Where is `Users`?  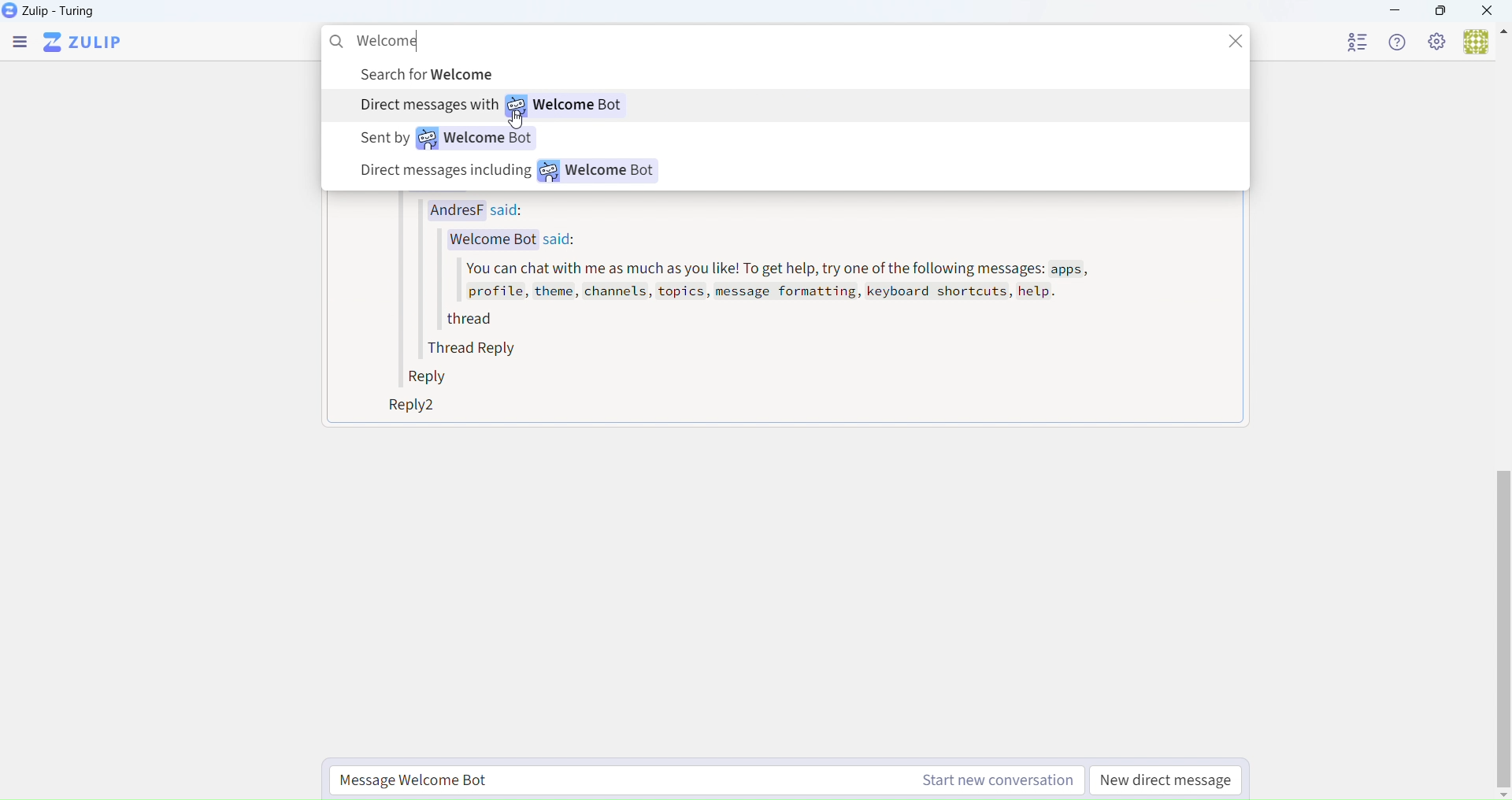
Users is located at coordinates (1484, 43).